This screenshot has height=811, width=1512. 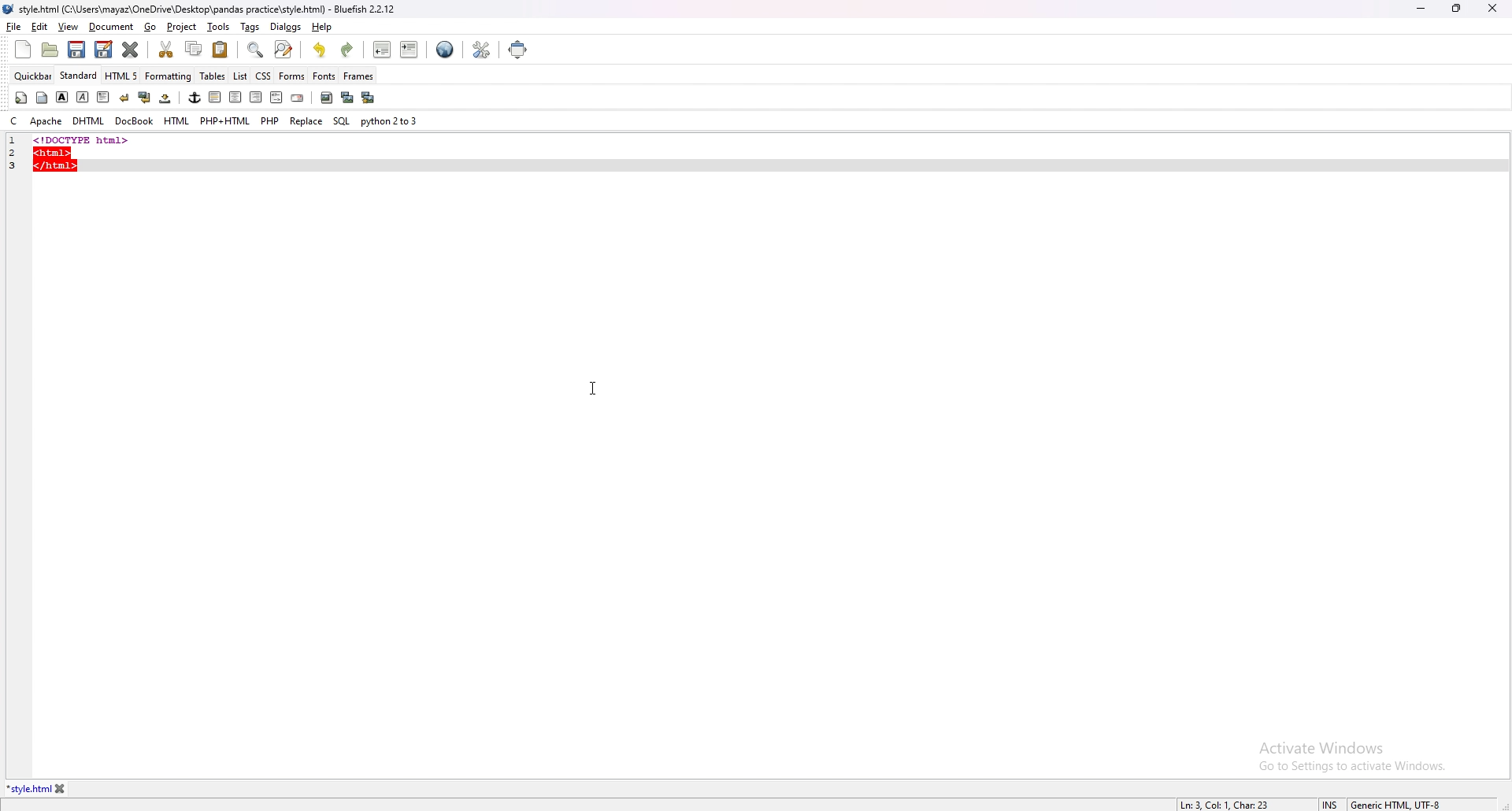 I want to click on file name, so click(x=202, y=10).